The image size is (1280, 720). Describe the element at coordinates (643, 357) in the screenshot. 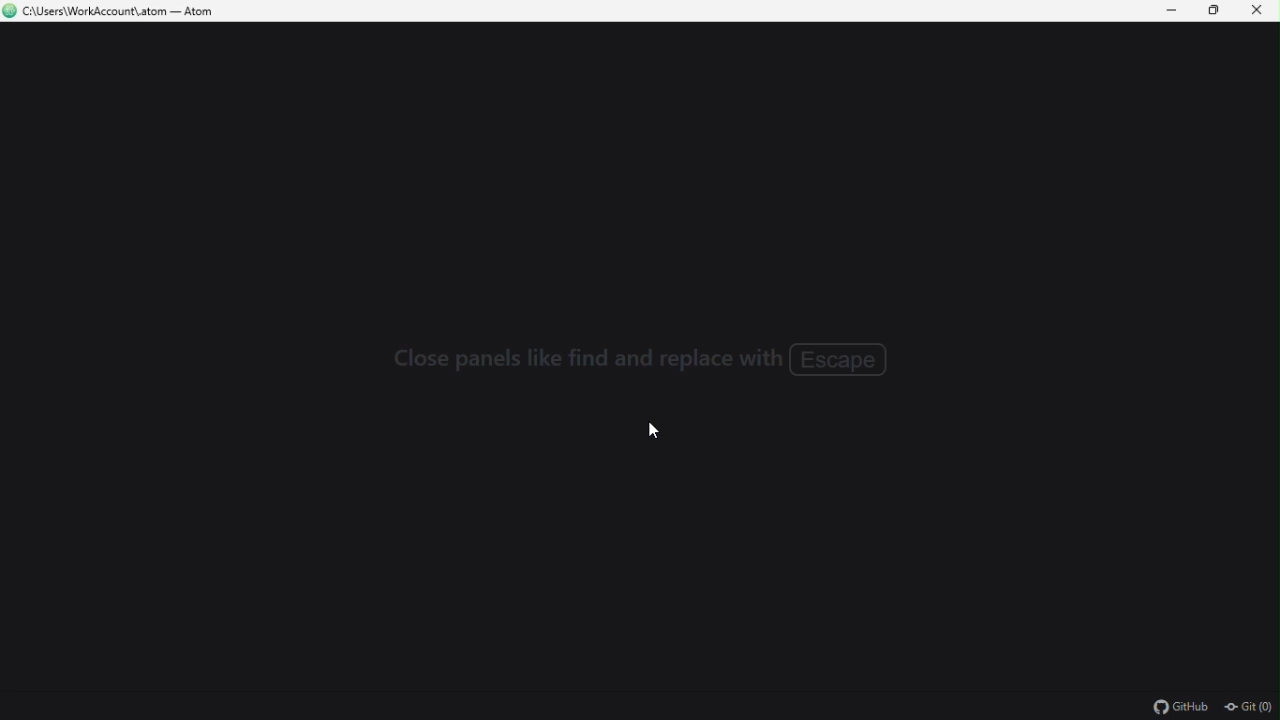

I see `Close panels like find and replace with escape` at that location.